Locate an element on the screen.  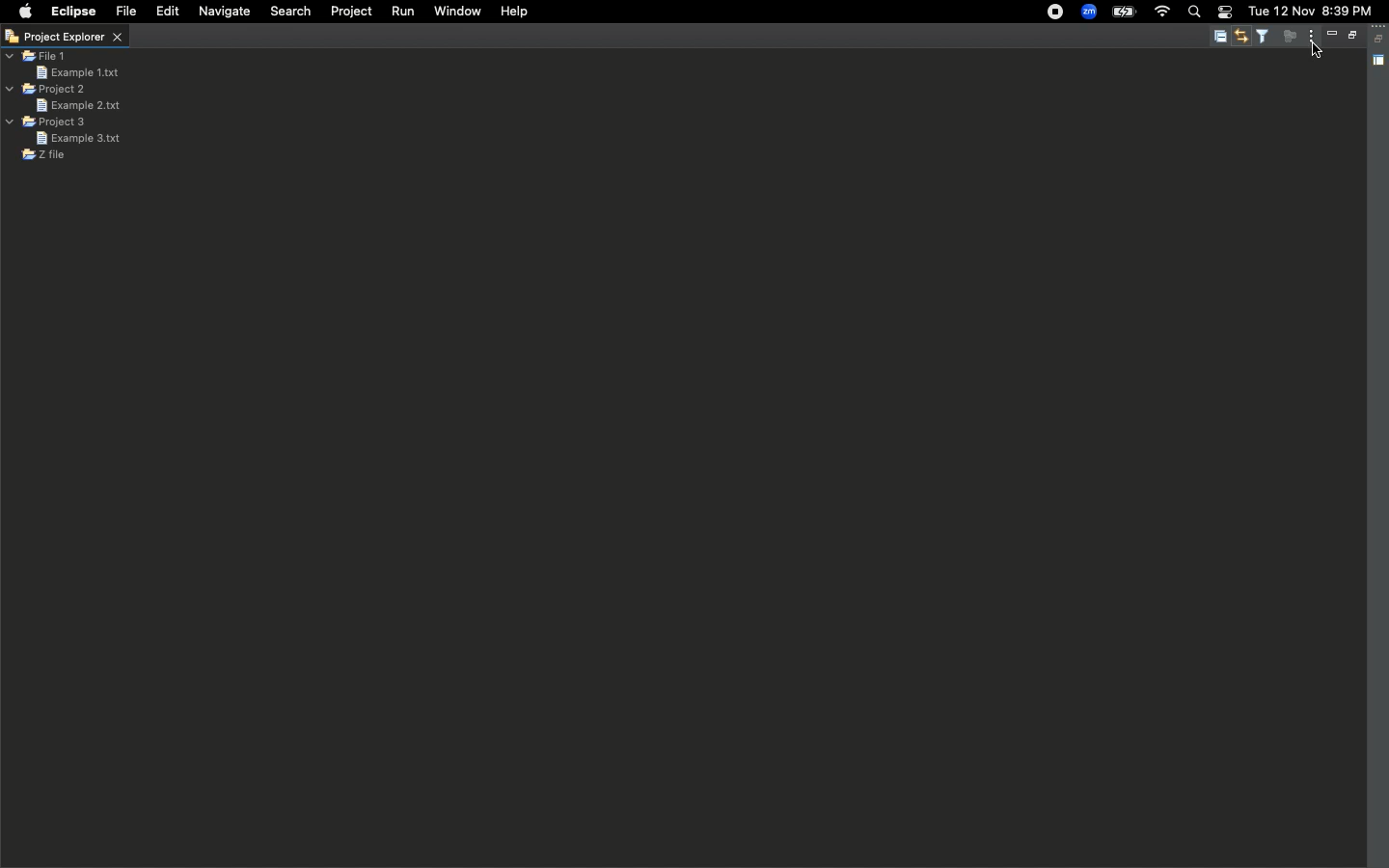
Maximize is located at coordinates (1350, 37).